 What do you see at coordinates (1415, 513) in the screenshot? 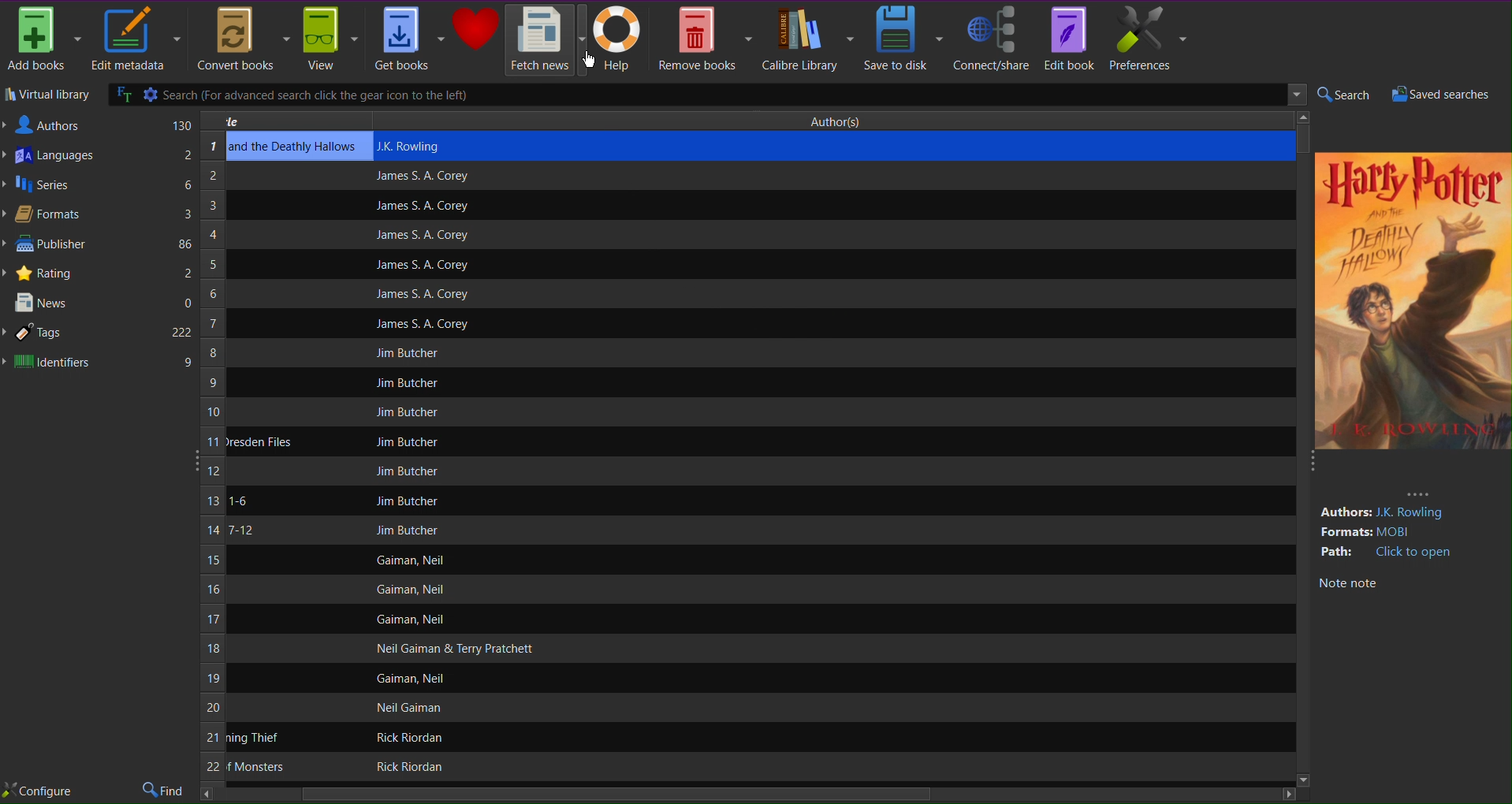
I see `JK. Rowling` at bounding box center [1415, 513].